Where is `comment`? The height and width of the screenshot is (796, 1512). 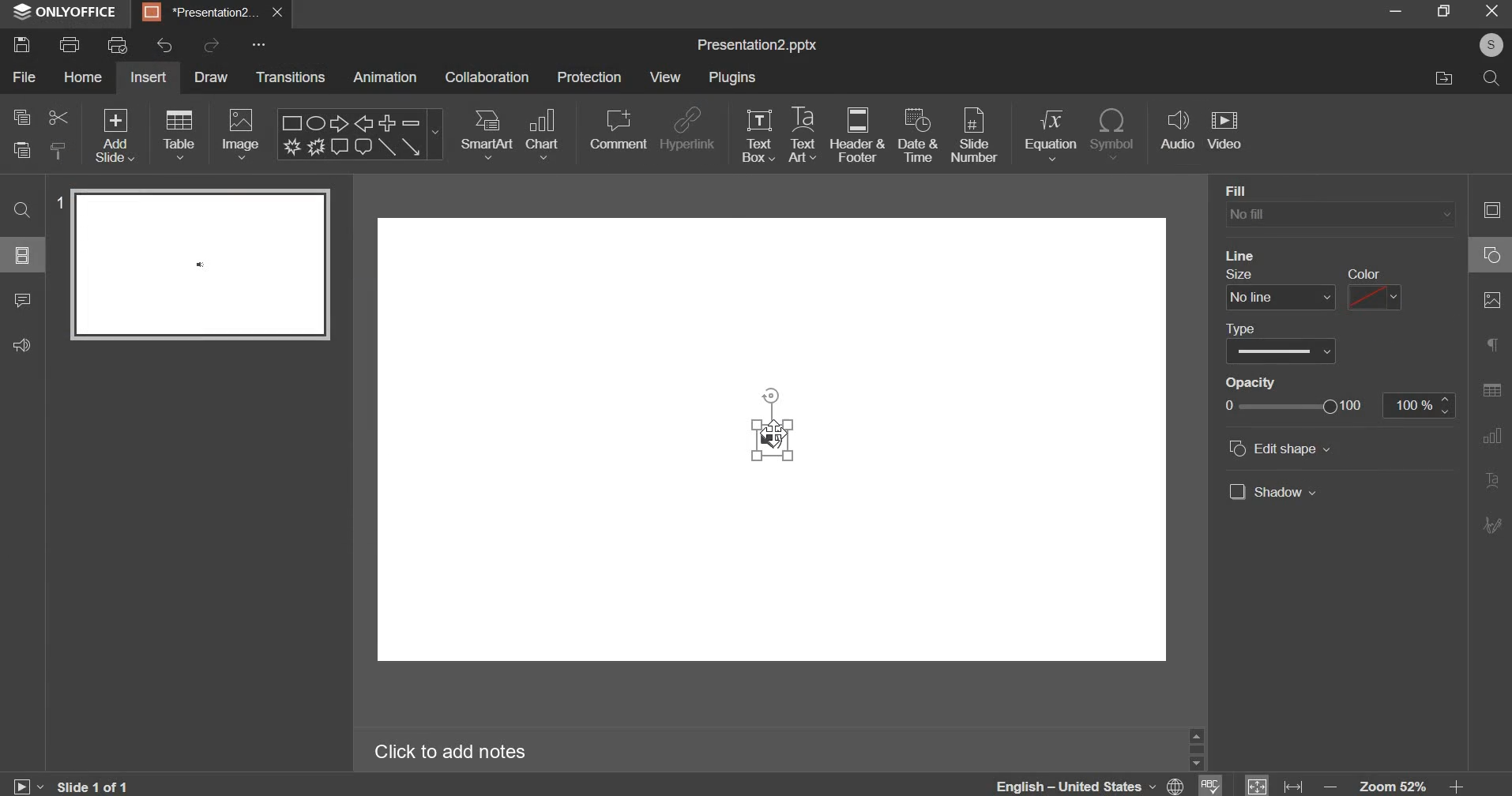 comment is located at coordinates (28, 302).